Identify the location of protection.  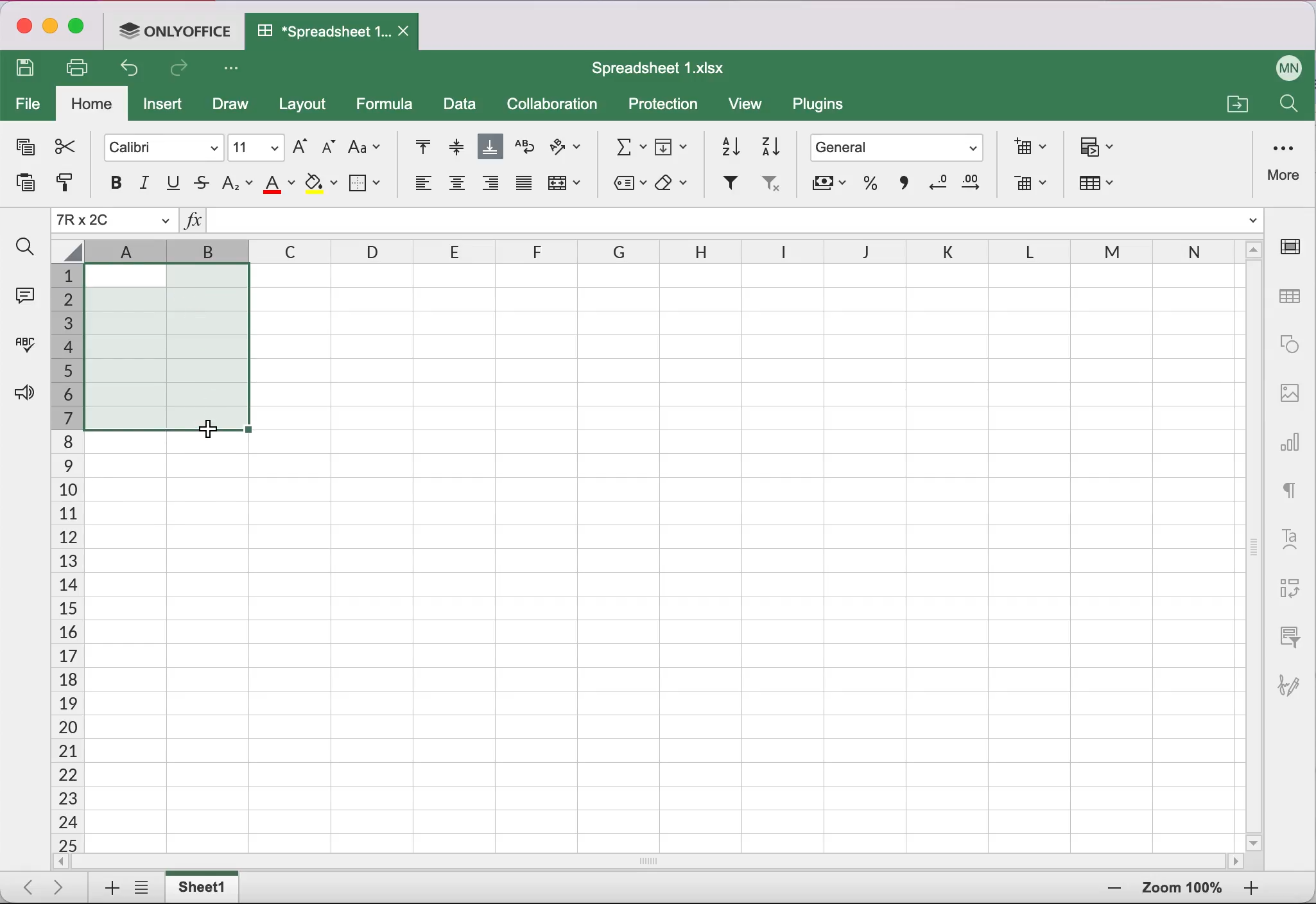
(664, 105).